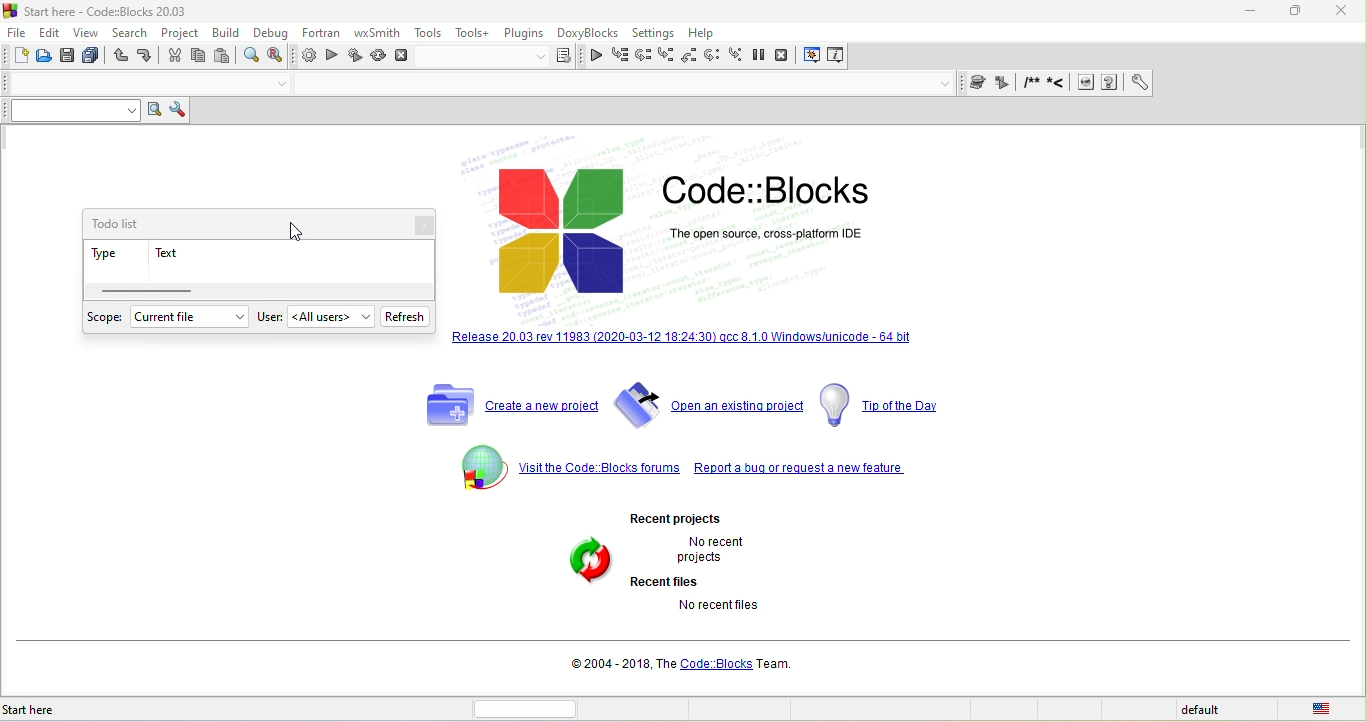  Describe the element at coordinates (765, 57) in the screenshot. I see `break debugger` at that location.